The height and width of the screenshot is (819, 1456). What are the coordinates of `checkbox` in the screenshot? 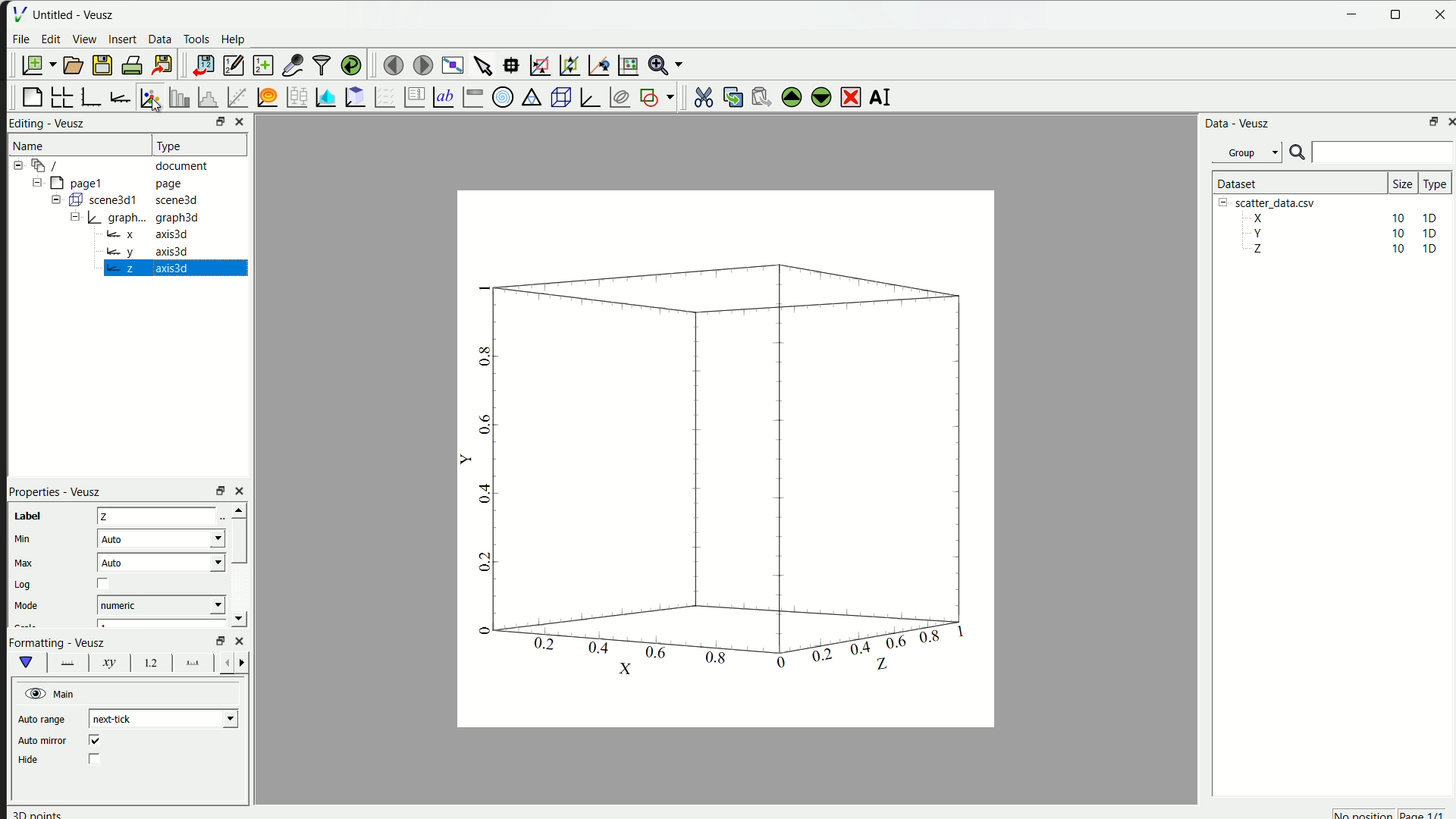 It's located at (97, 759).